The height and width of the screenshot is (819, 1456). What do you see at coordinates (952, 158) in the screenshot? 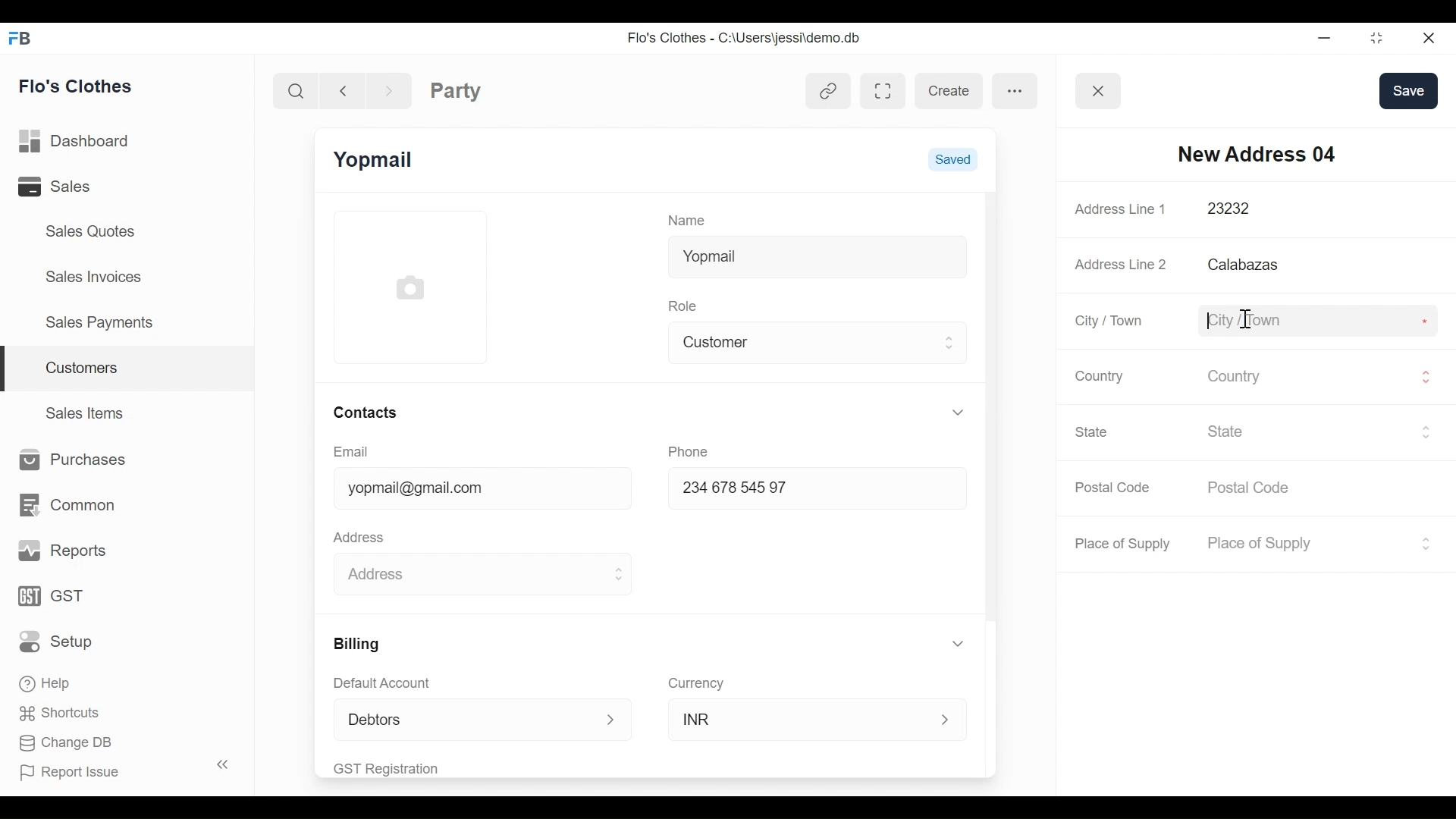
I see `Saved` at bounding box center [952, 158].